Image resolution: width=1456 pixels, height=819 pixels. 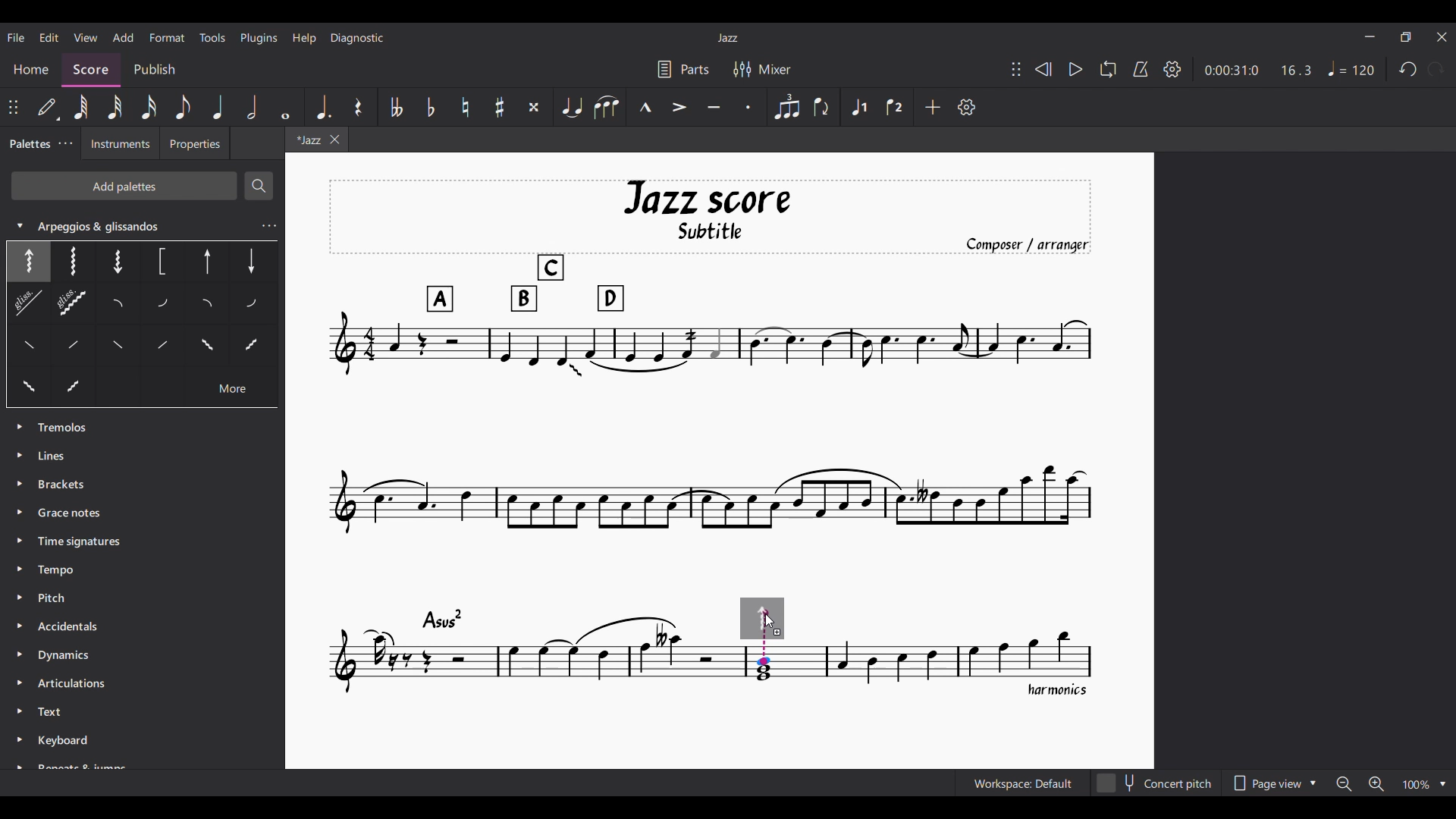 What do you see at coordinates (1023, 783) in the screenshot?
I see `Current workspace setting` at bounding box center [1023, 783].